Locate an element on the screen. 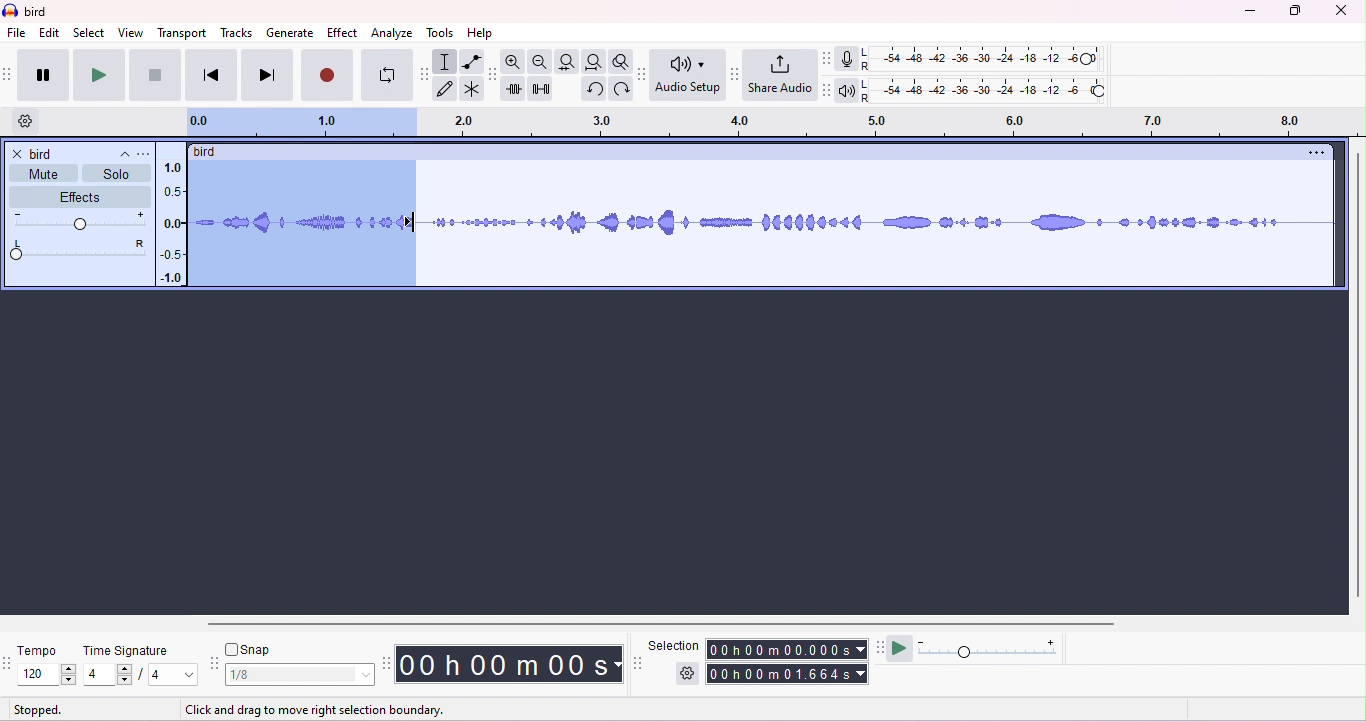 The height and width of the screenshot is (722, 1366). play at speed/play at speed once is located at coordinates (902, 649).